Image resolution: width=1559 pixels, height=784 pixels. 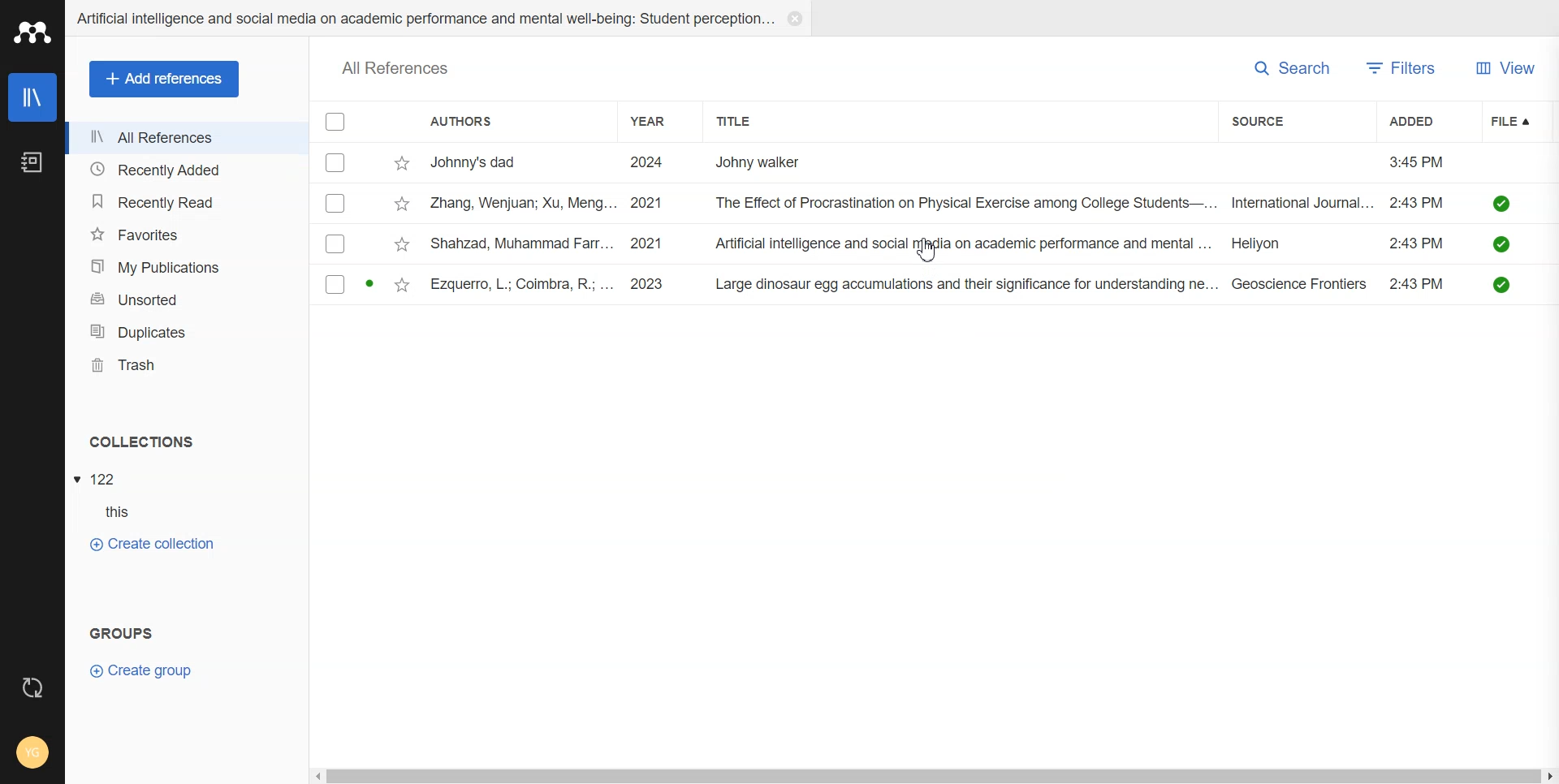 What do you see at coordinates (524, 161) in the screenshot?
I see `johnny's dad` at bounding box center [524, 161].